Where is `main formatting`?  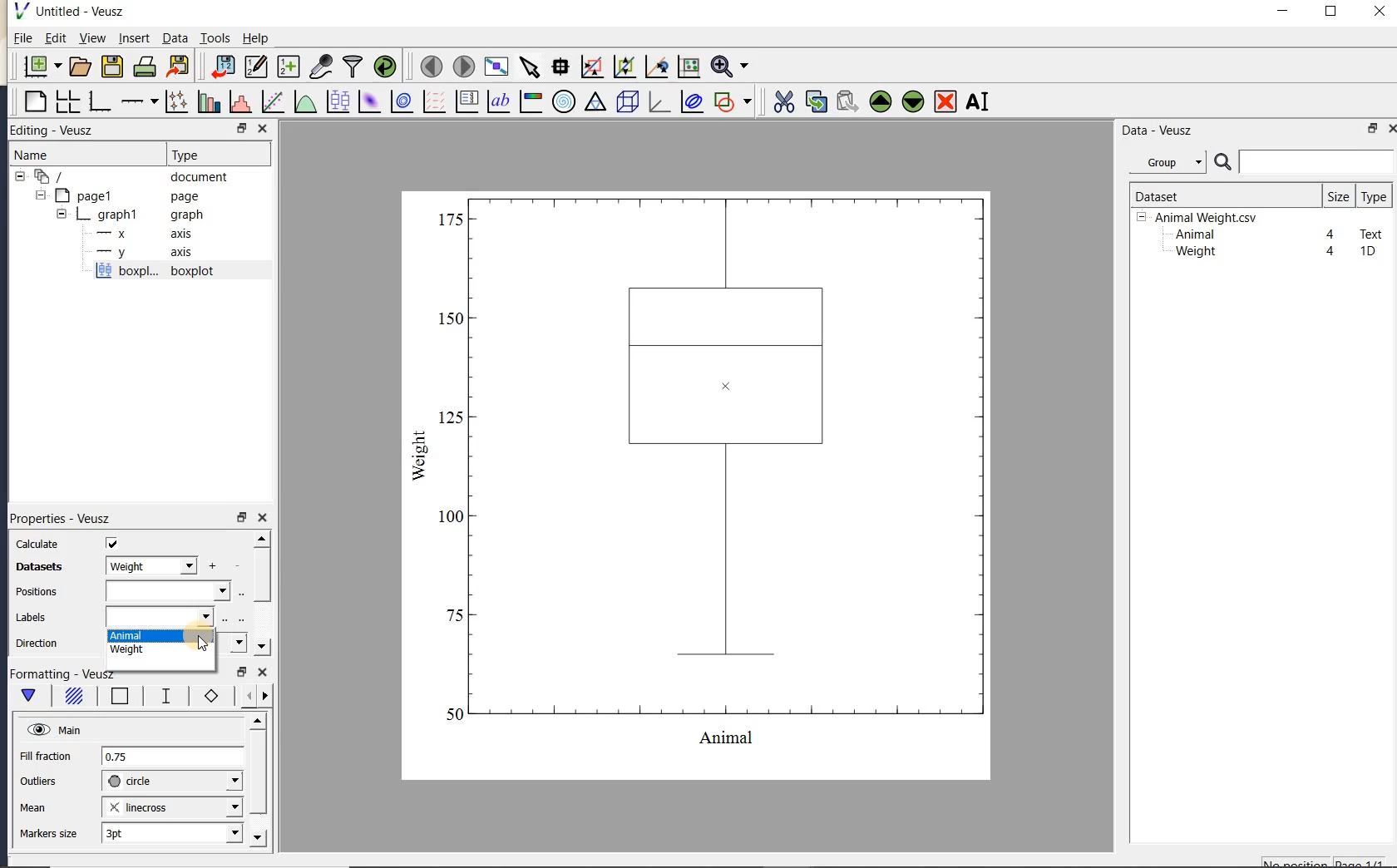 main formatting is located at coordinates (28, 698).